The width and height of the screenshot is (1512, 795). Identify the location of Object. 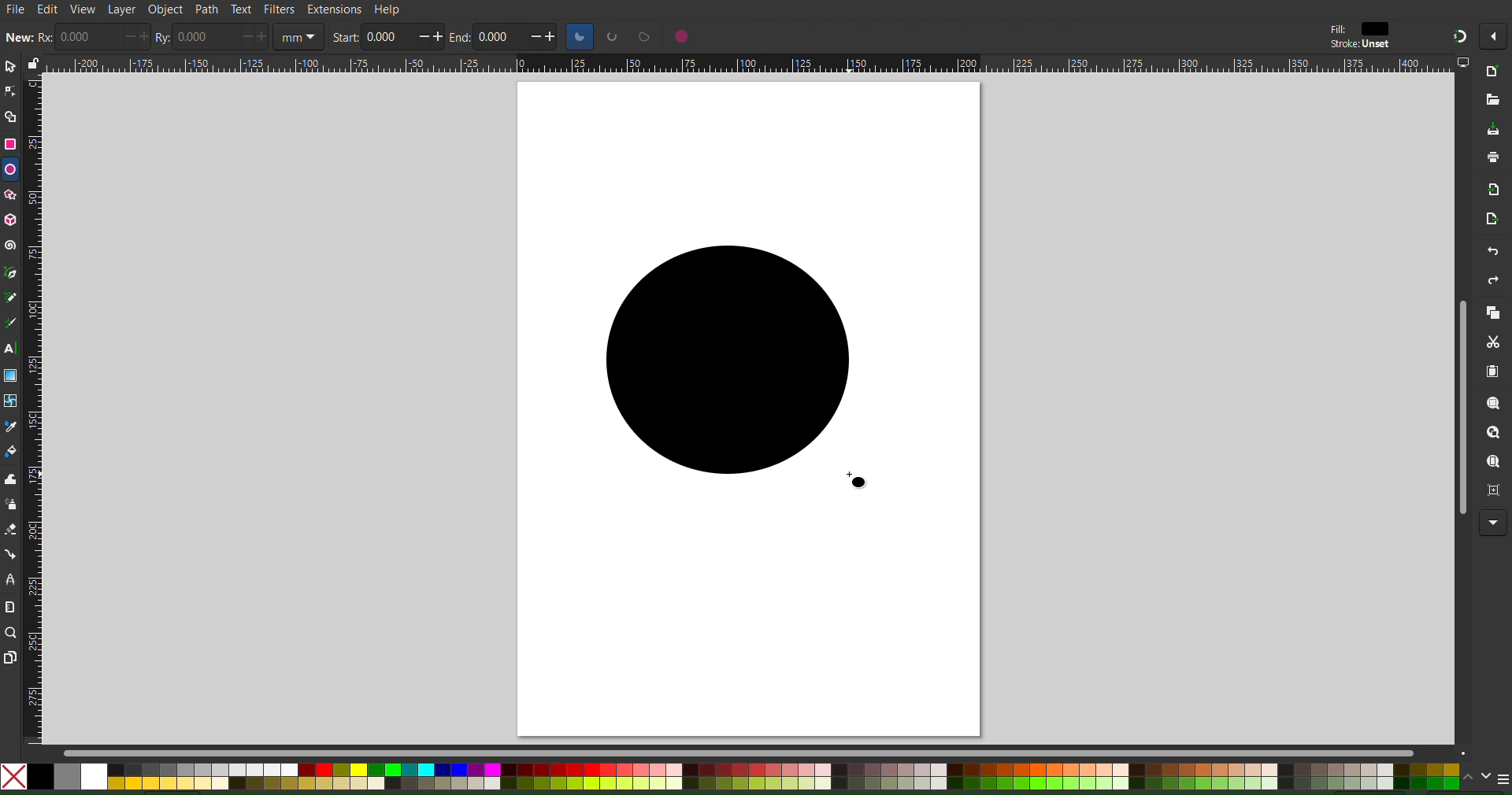
(165, 10).